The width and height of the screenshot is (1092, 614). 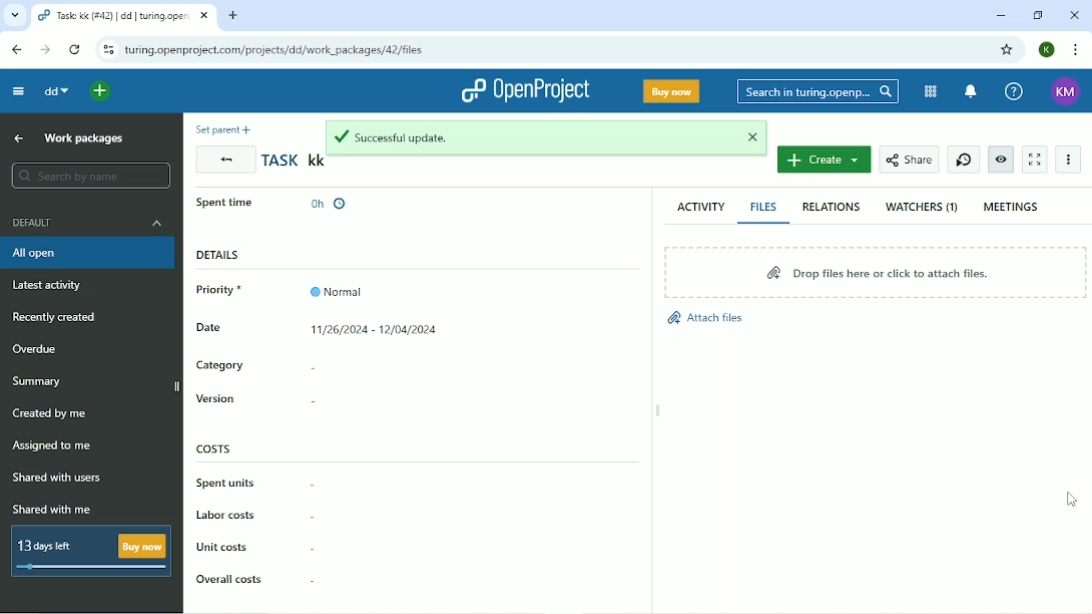 What do you see at coordinates (928, 92) in the screenshot?
I see `Modules` at bounding box center [928, 92].